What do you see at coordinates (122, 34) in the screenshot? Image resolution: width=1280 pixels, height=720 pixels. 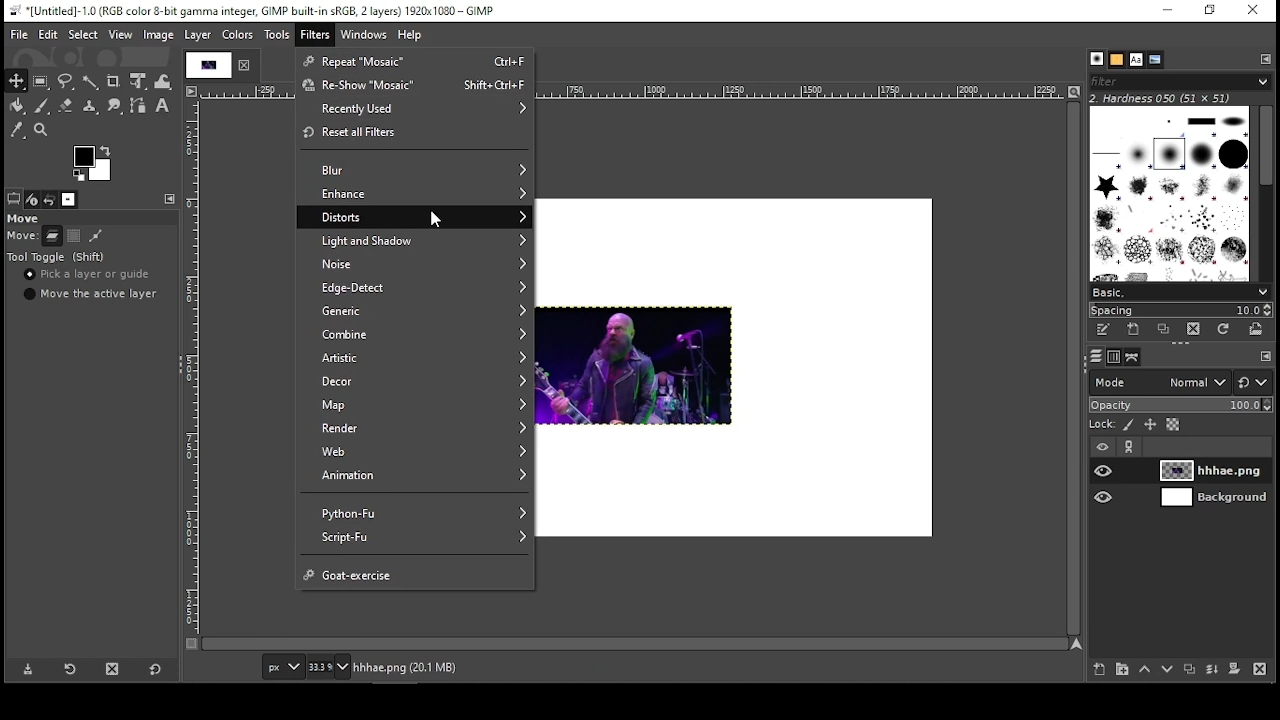 I see `view` at bounding box center [122, 34].